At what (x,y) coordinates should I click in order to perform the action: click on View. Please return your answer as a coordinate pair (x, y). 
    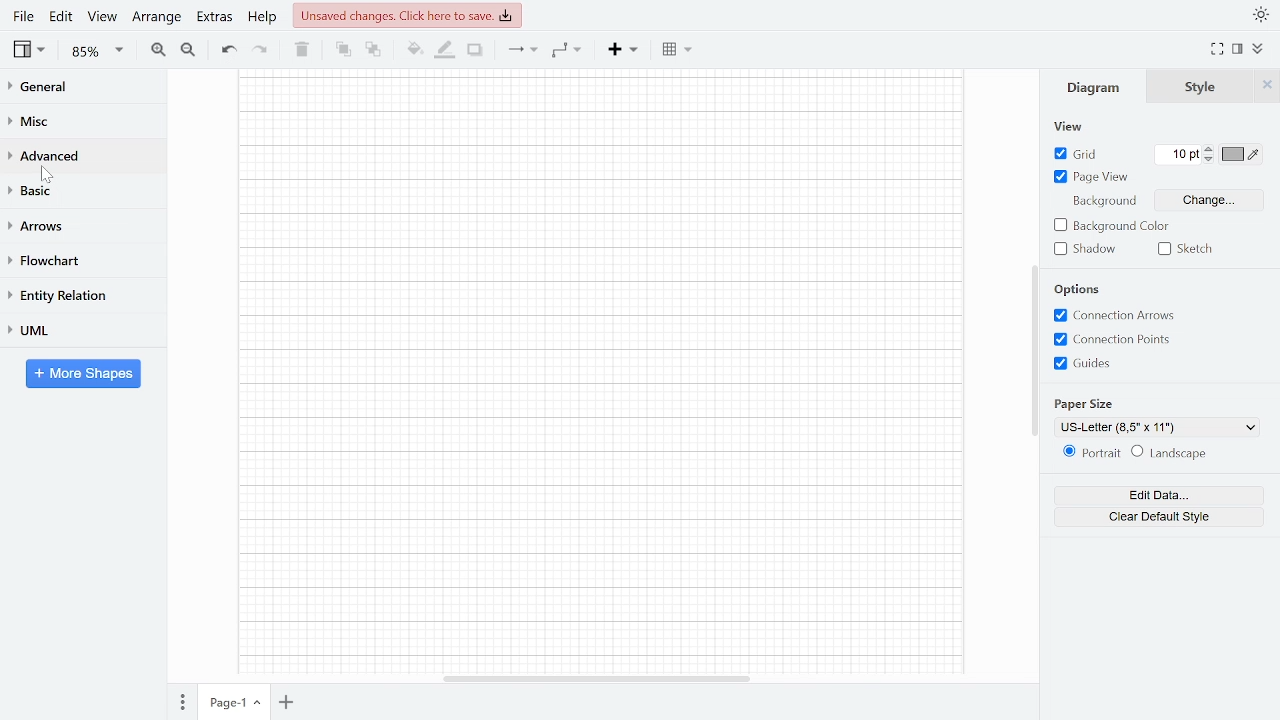
    Looking at the image, I should click on (32, 49).